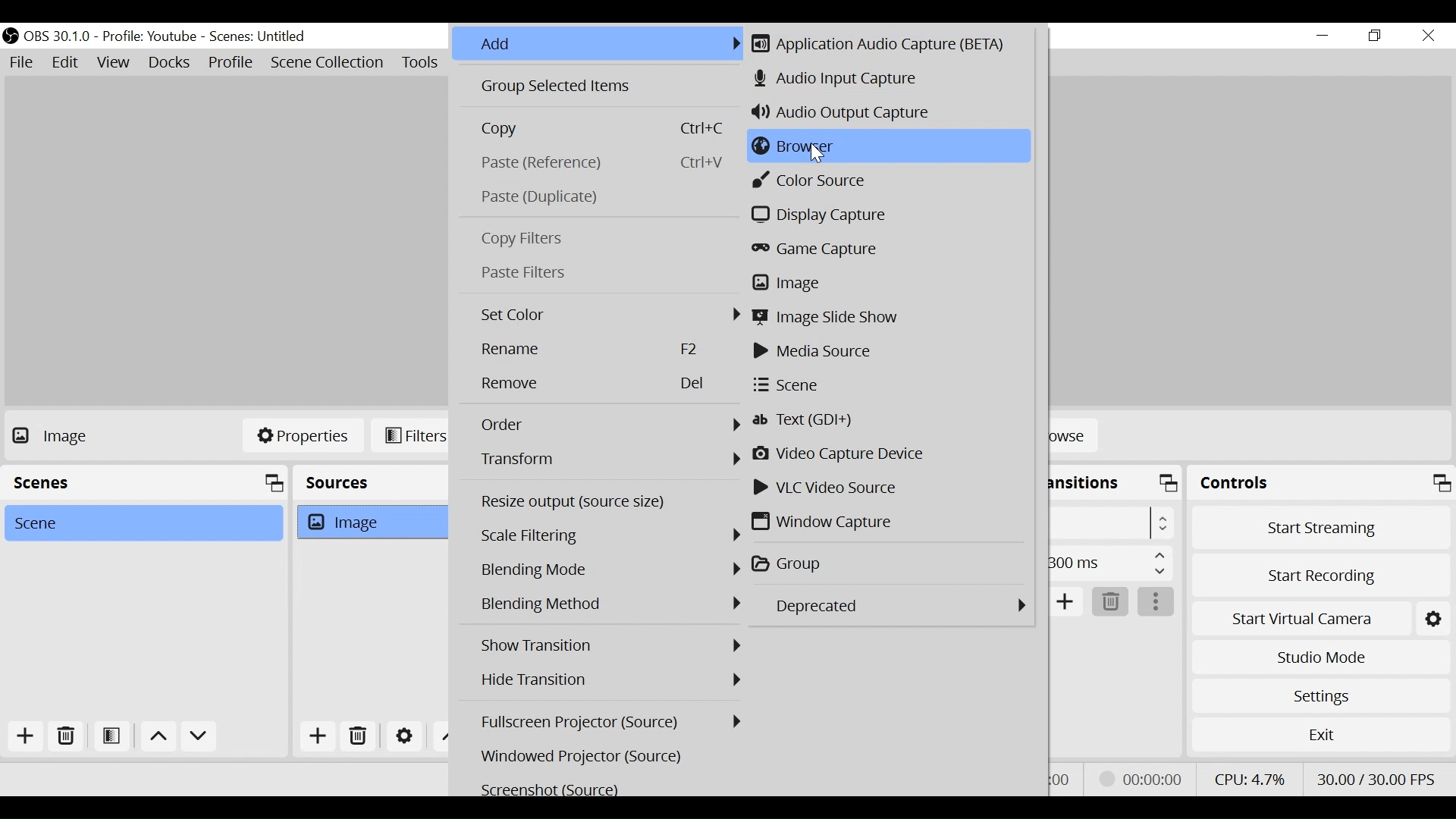  I want to click on Controls, so click(1323, 482).